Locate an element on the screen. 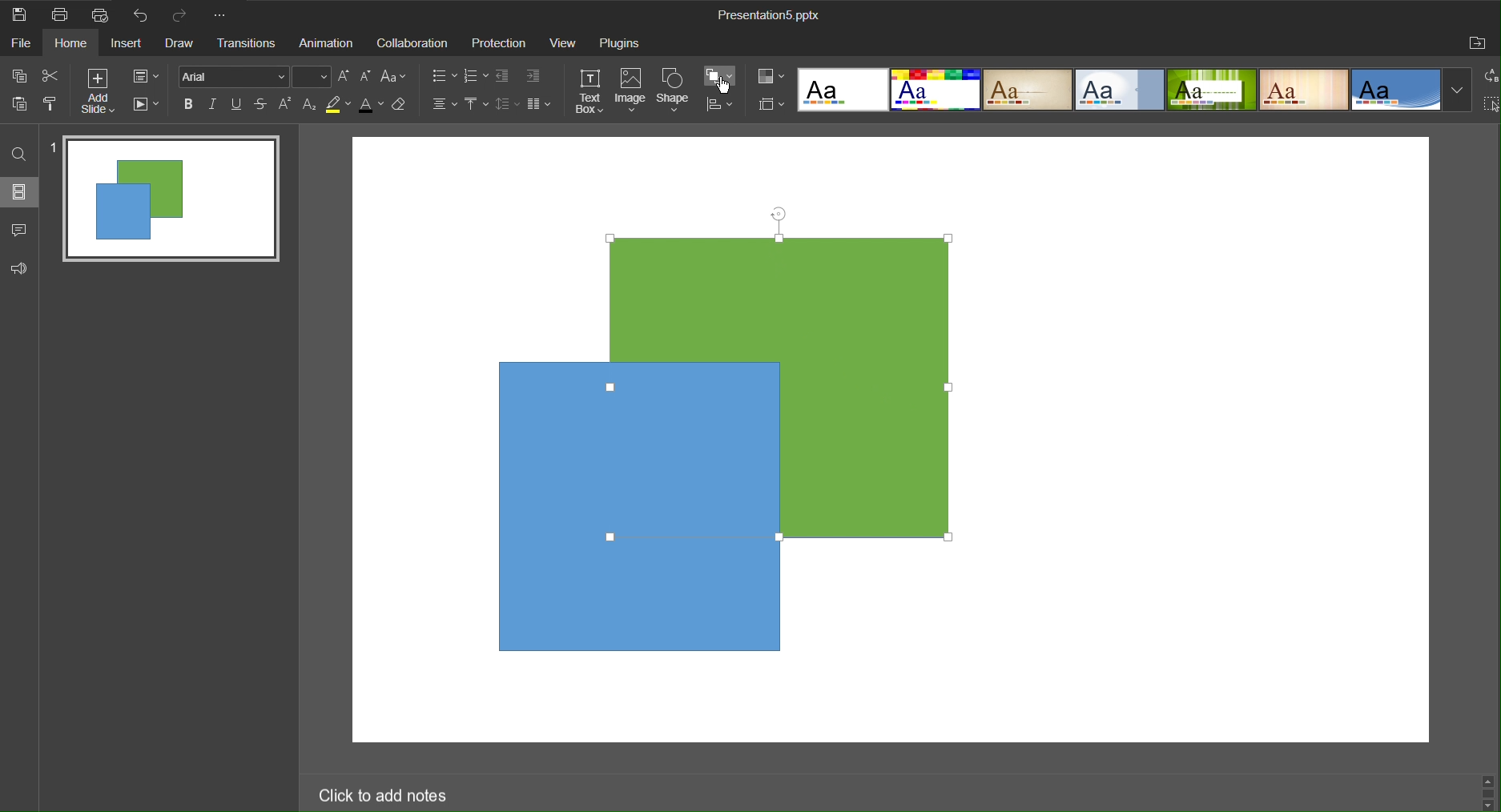  Image is located at coordinates (631, 90).